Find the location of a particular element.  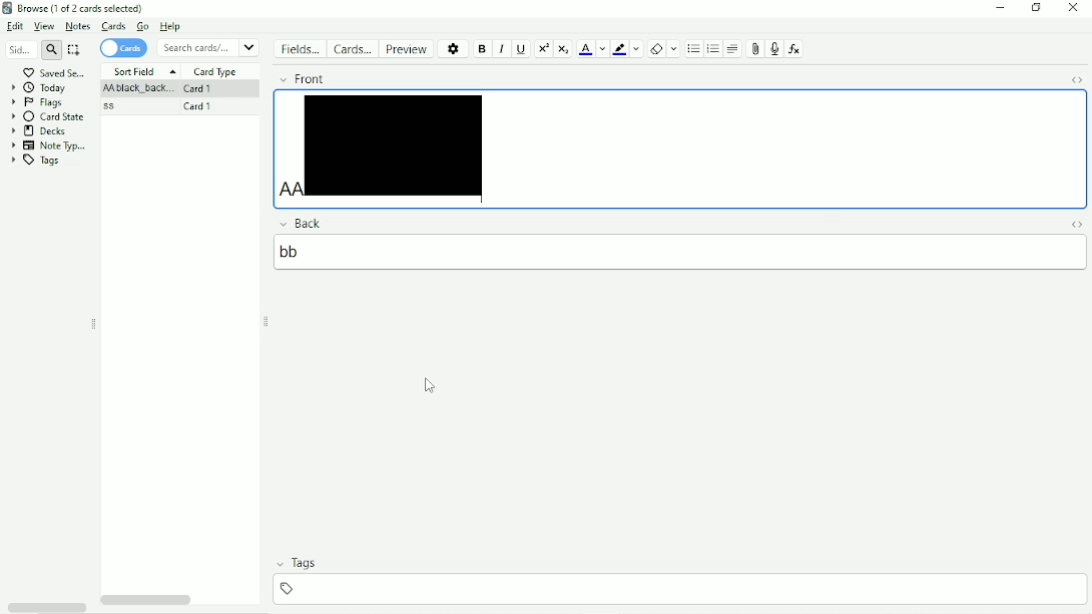

Resize is located at coordinates (95, 324).